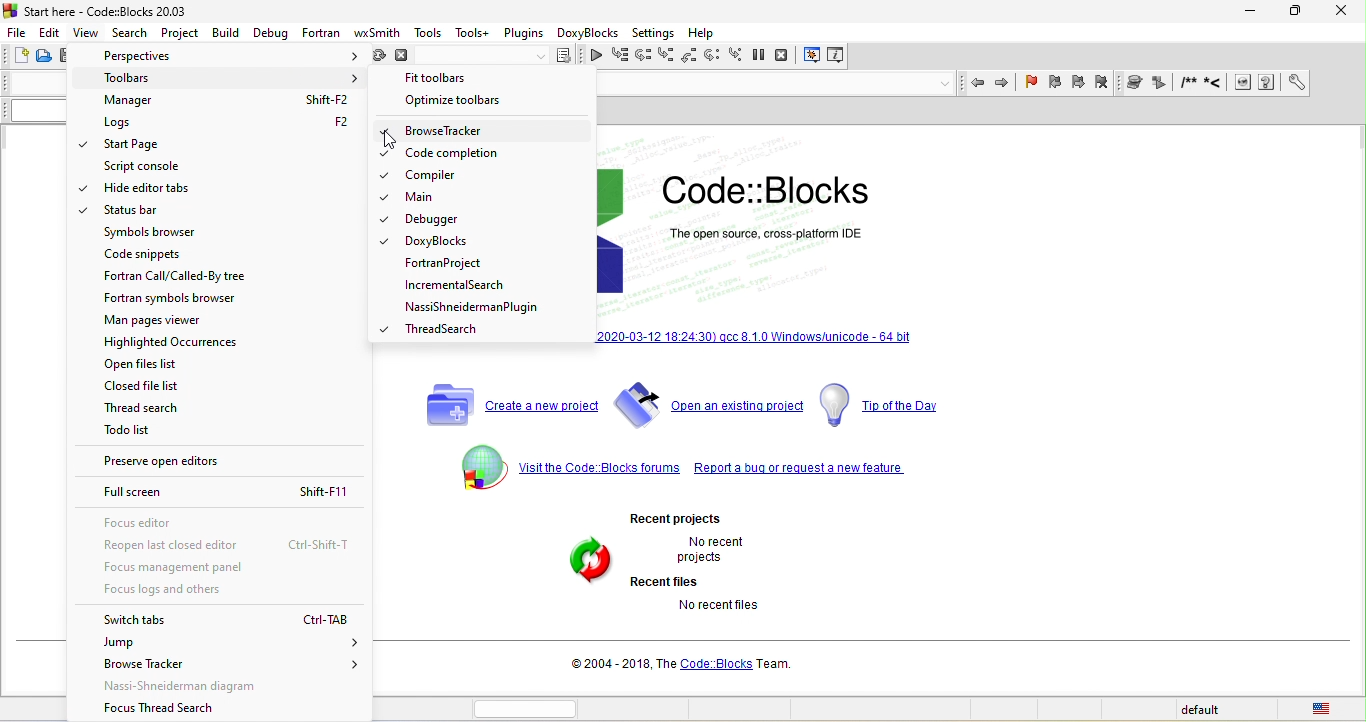 This screenshot has width=1366, height=722. I want to click on manager, so click(228, 101).